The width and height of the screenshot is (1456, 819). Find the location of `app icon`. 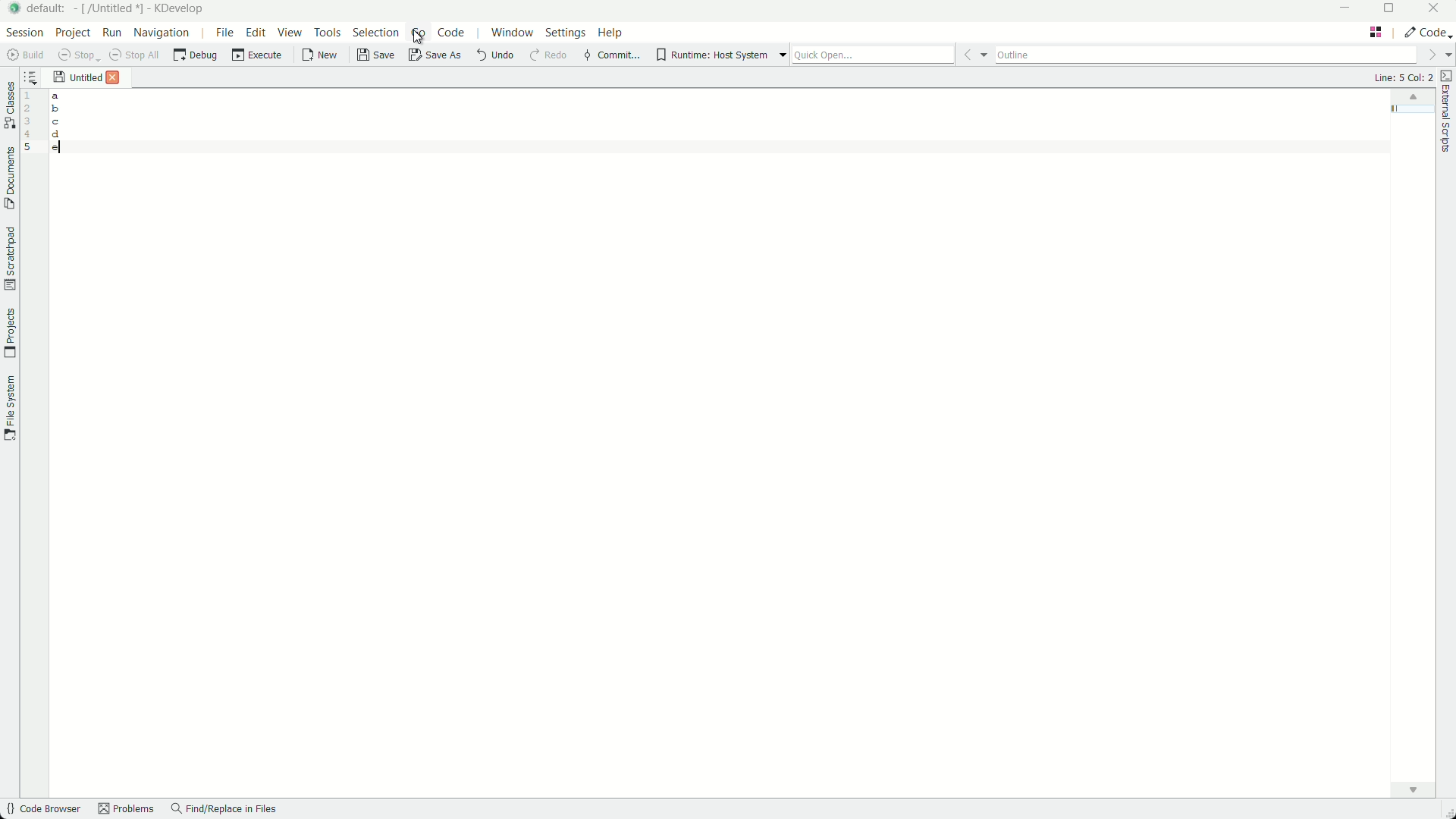

app icon is located at coordinates (15, 11).